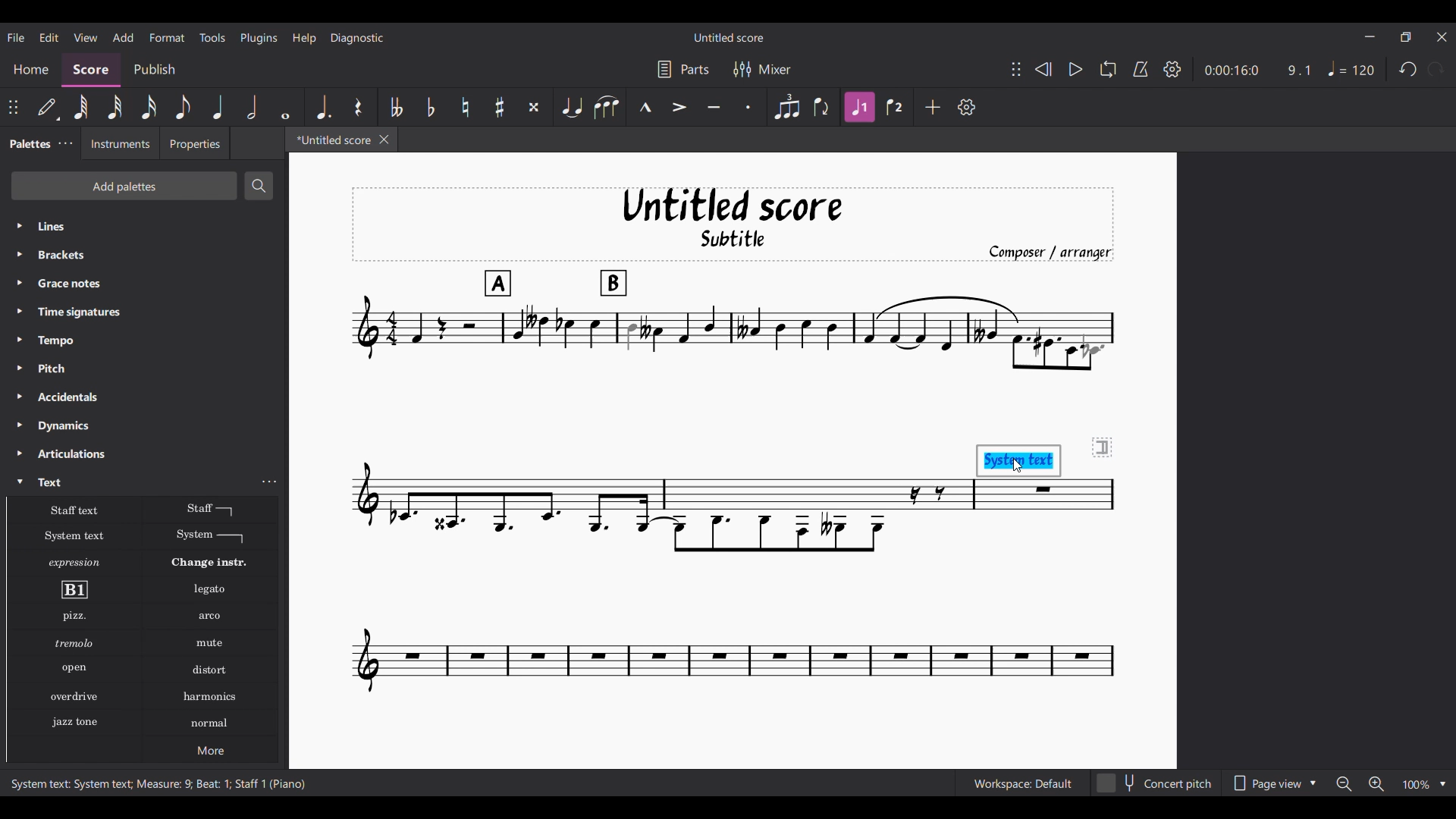 This screenshot has height=819, width=1456. What do you see at coordinates (210, 670) in the screenshot?
I see `Distort` at bounding box center [210, 670].